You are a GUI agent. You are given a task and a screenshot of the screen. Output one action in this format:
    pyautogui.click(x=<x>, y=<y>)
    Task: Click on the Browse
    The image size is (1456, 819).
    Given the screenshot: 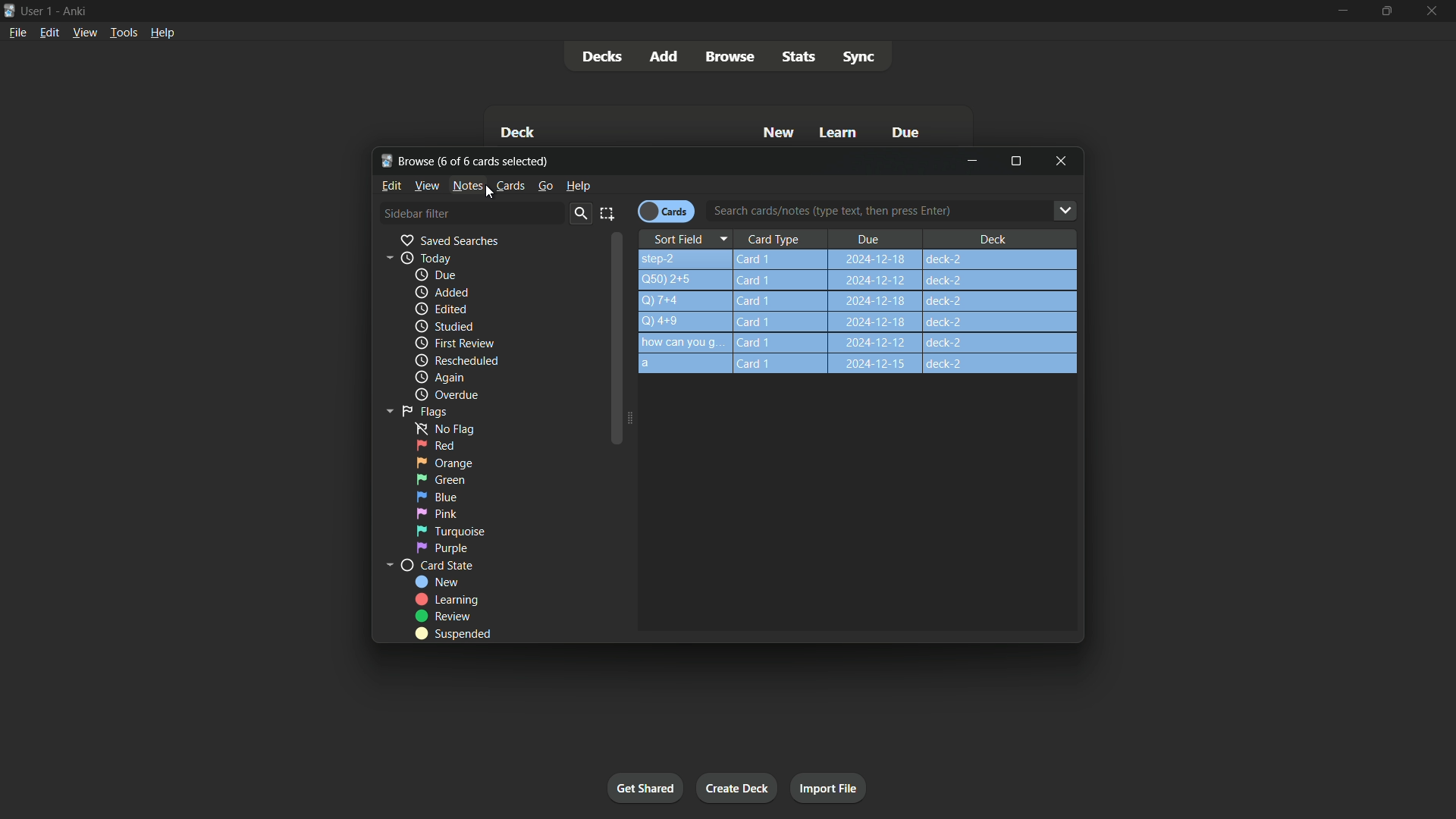 What is the action you would take?
    pyautogui.click(x=729, y=56)
    